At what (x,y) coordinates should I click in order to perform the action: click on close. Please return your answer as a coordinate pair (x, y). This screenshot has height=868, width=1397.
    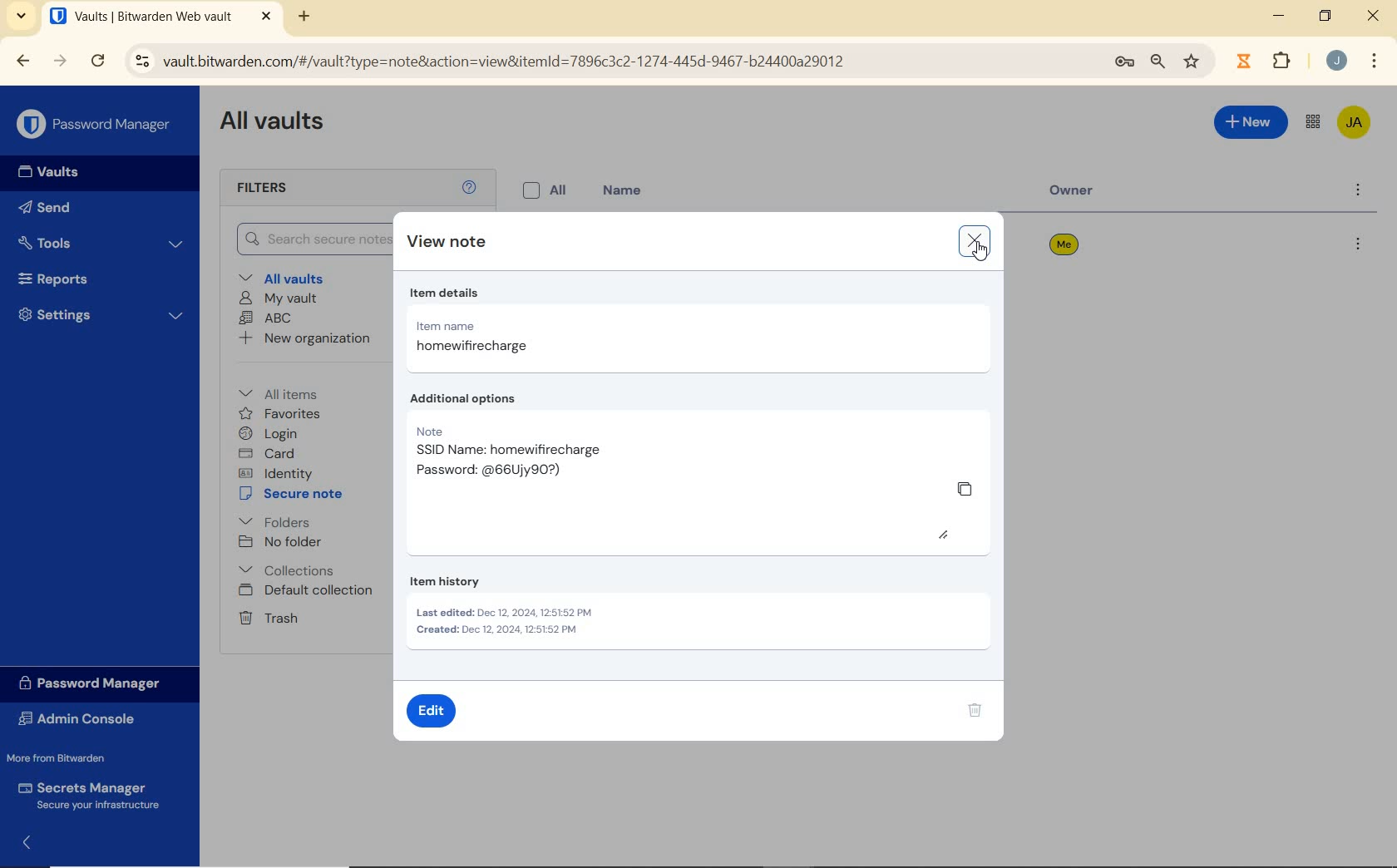
    Looking at the image, I should click on (1373, 15).